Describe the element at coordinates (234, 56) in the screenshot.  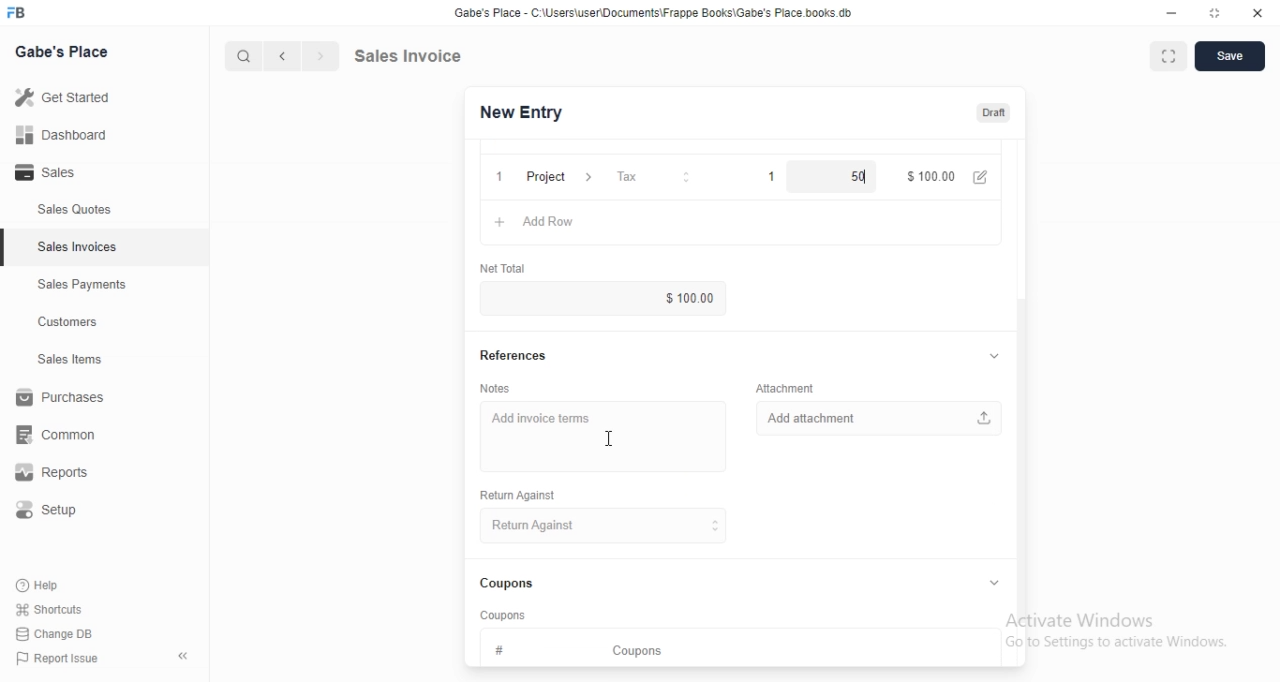
I see `cursor` at that location.